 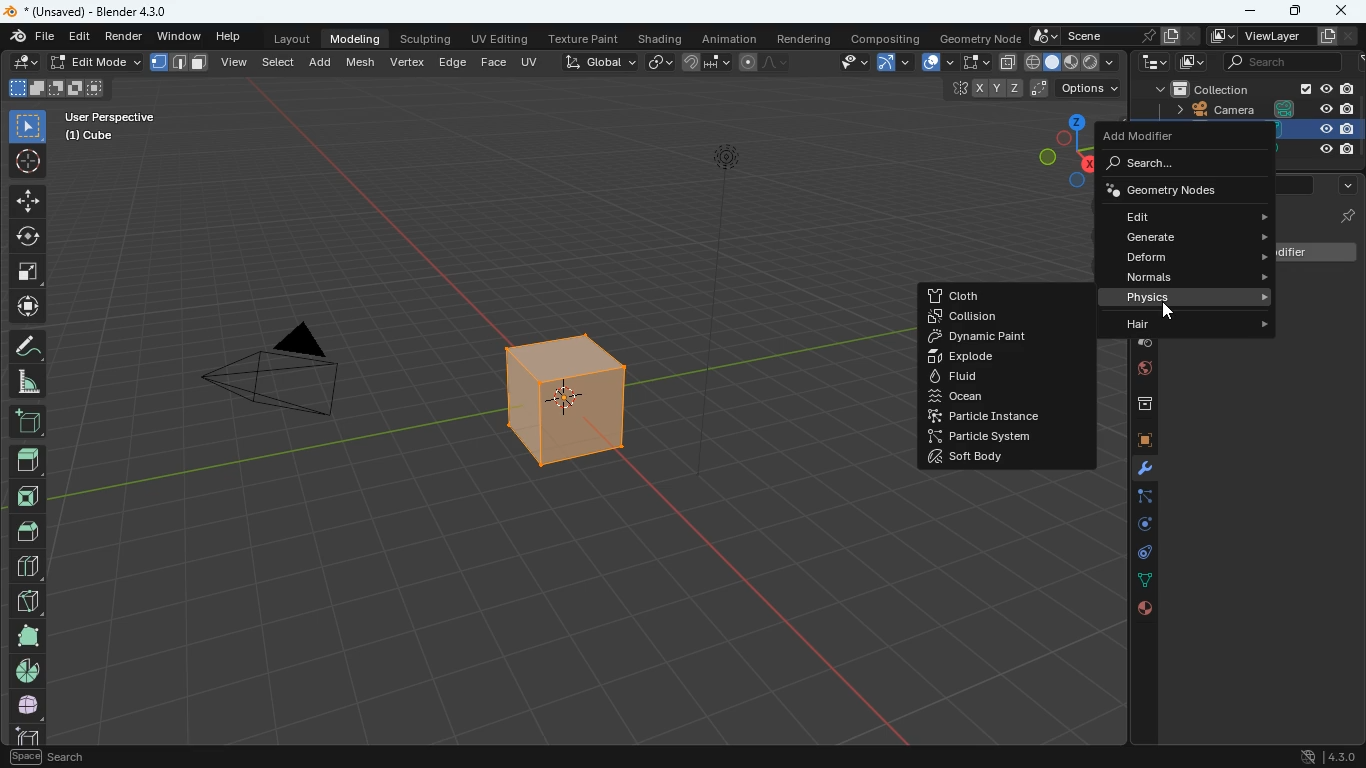 What do you see at coordinates (731, 36) in the screenshot?
I see `animation` at bounding box center [731, 36].